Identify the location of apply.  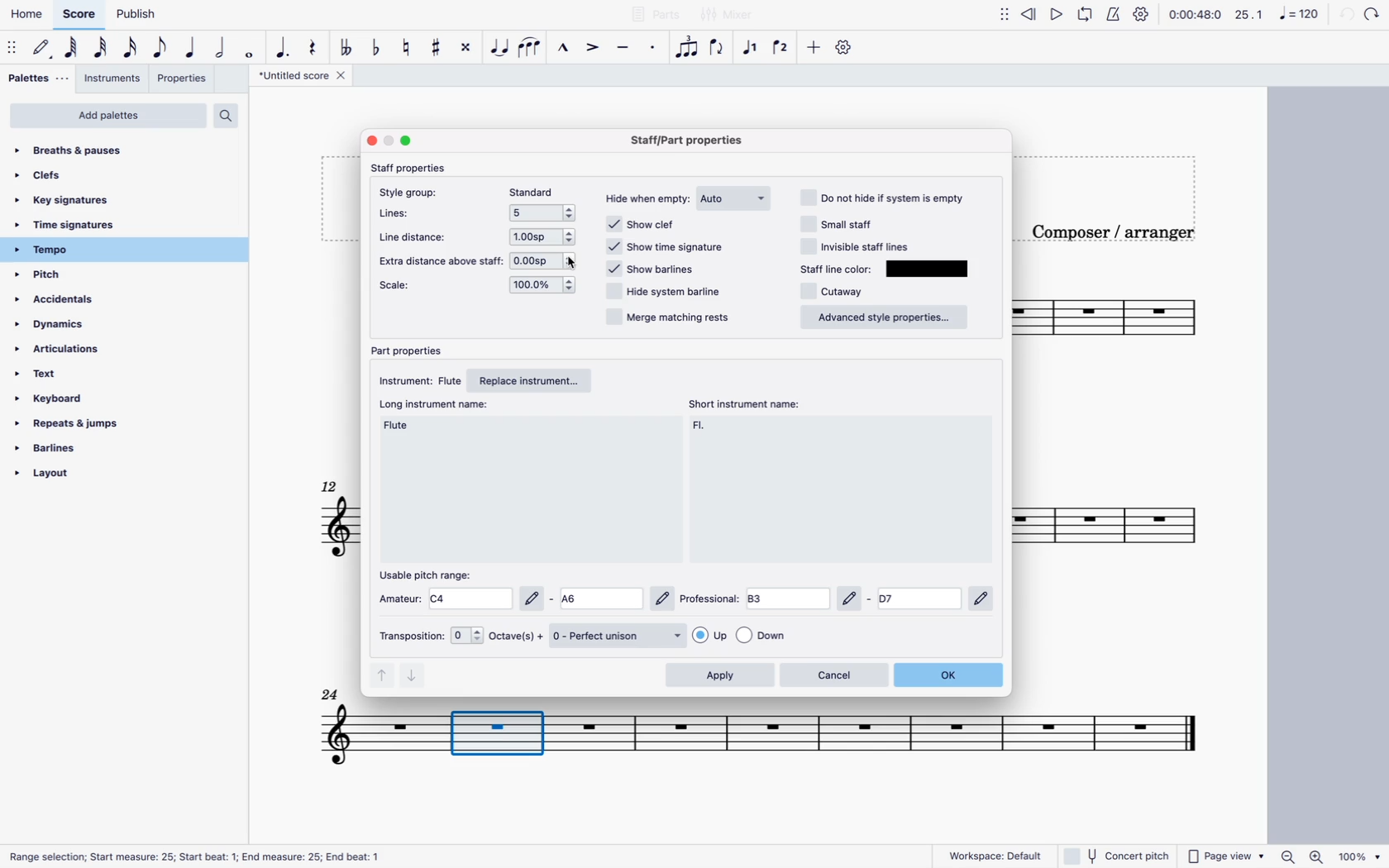
(719, 675).